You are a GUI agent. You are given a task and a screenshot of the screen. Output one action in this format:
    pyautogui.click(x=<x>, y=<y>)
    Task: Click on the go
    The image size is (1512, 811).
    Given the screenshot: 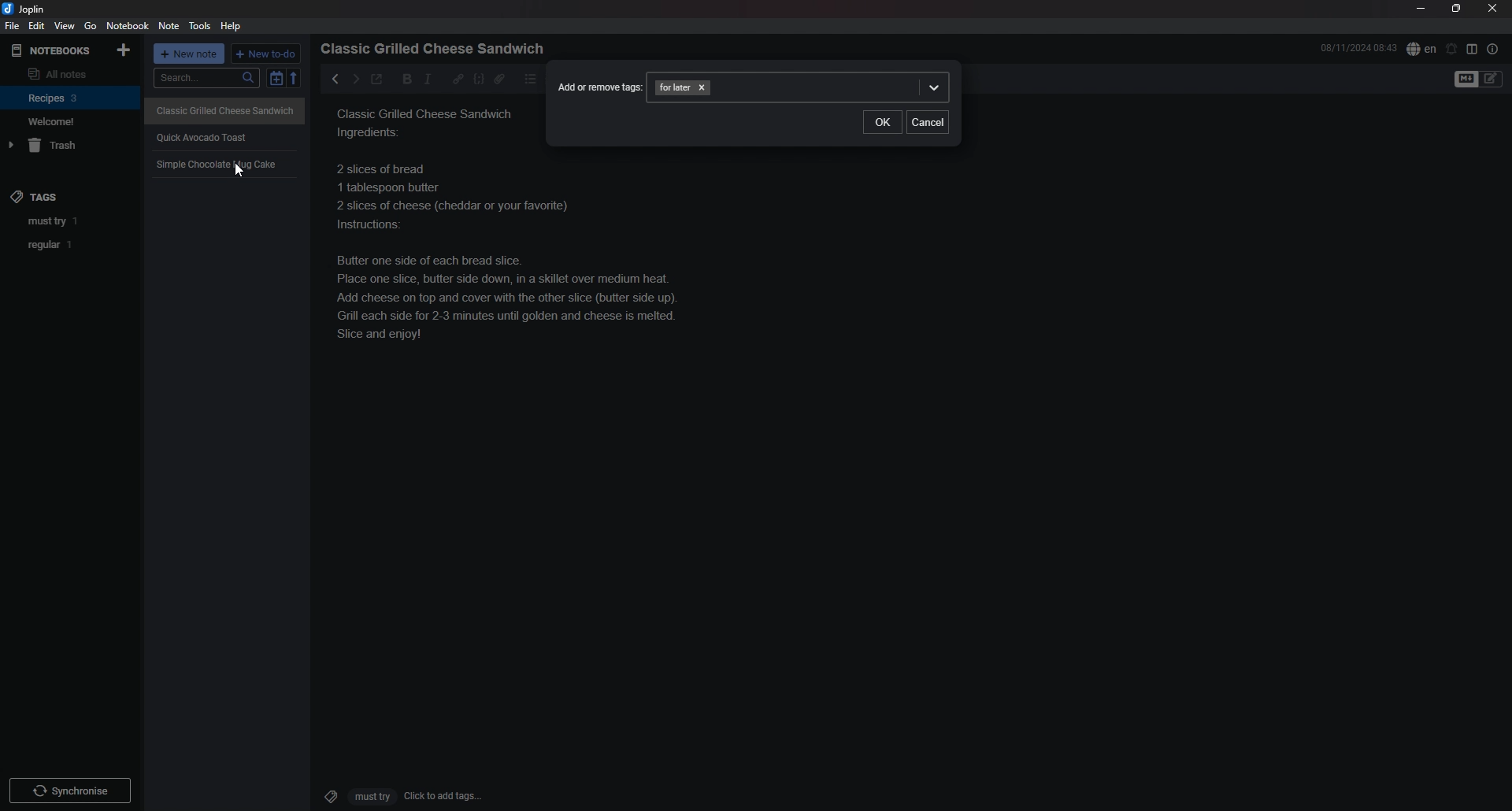 What is the action you would take?
    pyautogui.click(x=91, y=25)
    